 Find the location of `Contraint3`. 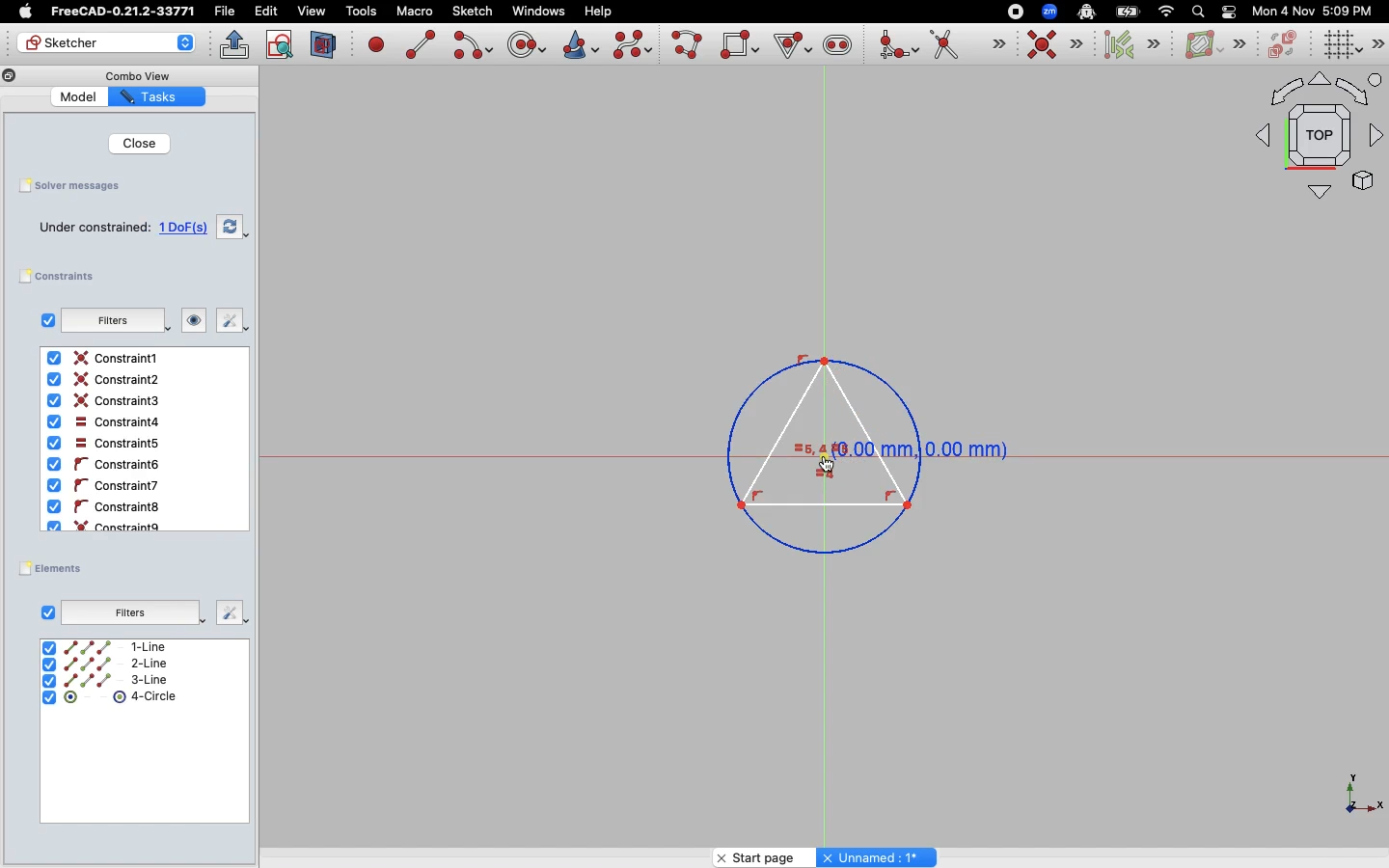

Contraint3 is located at coordinates (107, 401).